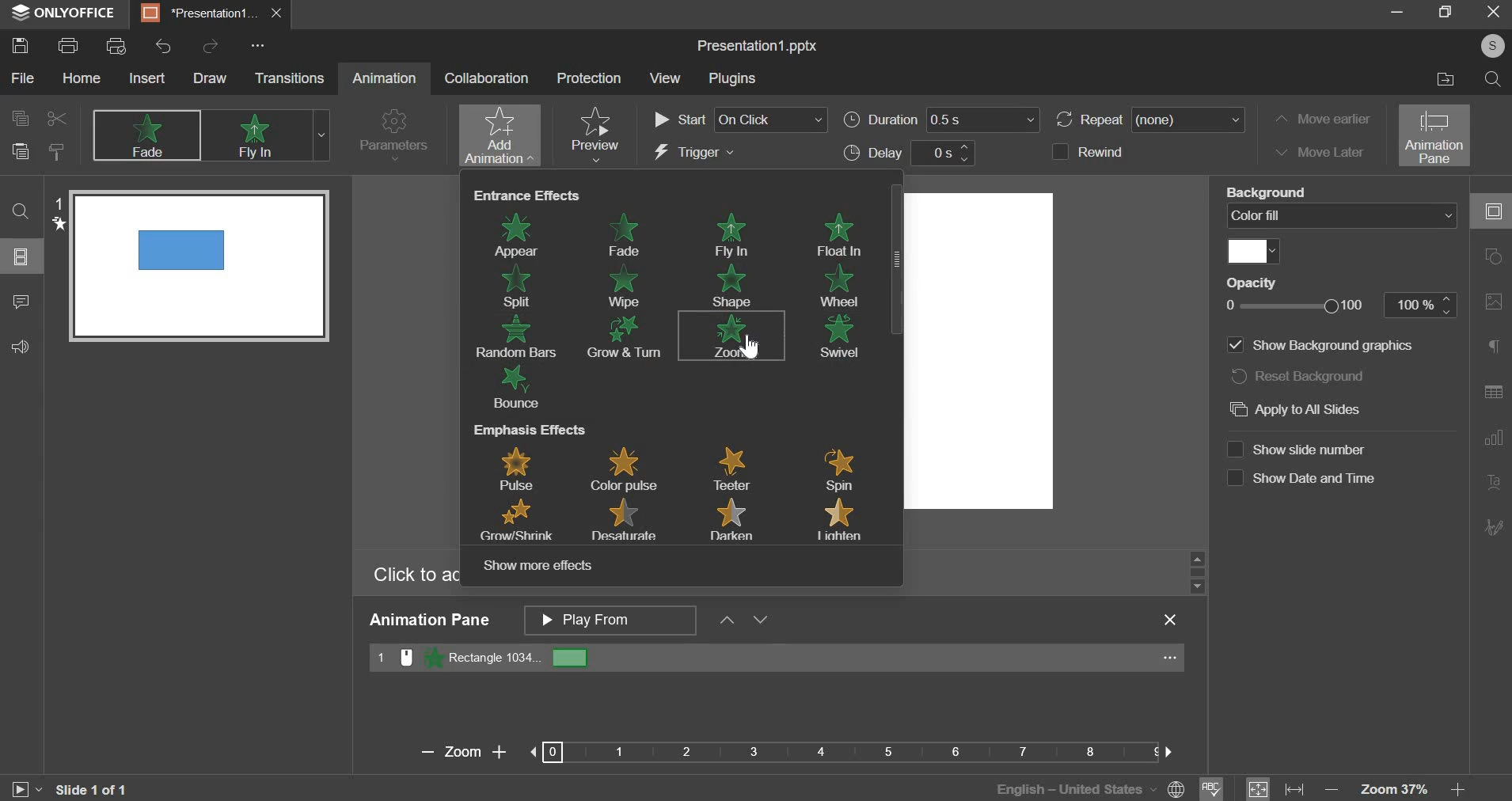  I want to click on insert, so click(149, 80).